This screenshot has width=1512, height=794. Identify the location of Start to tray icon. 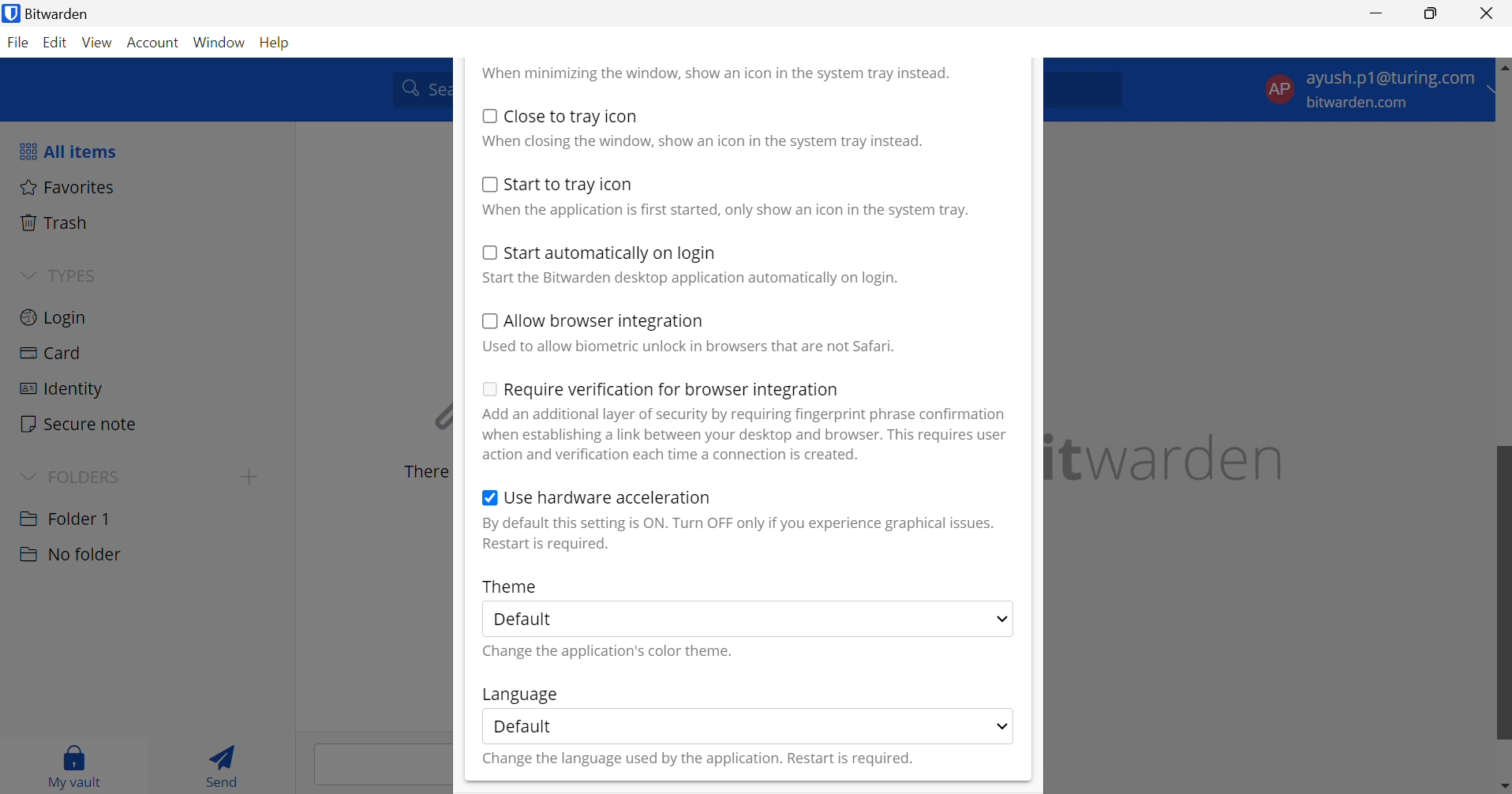
(571, 185).